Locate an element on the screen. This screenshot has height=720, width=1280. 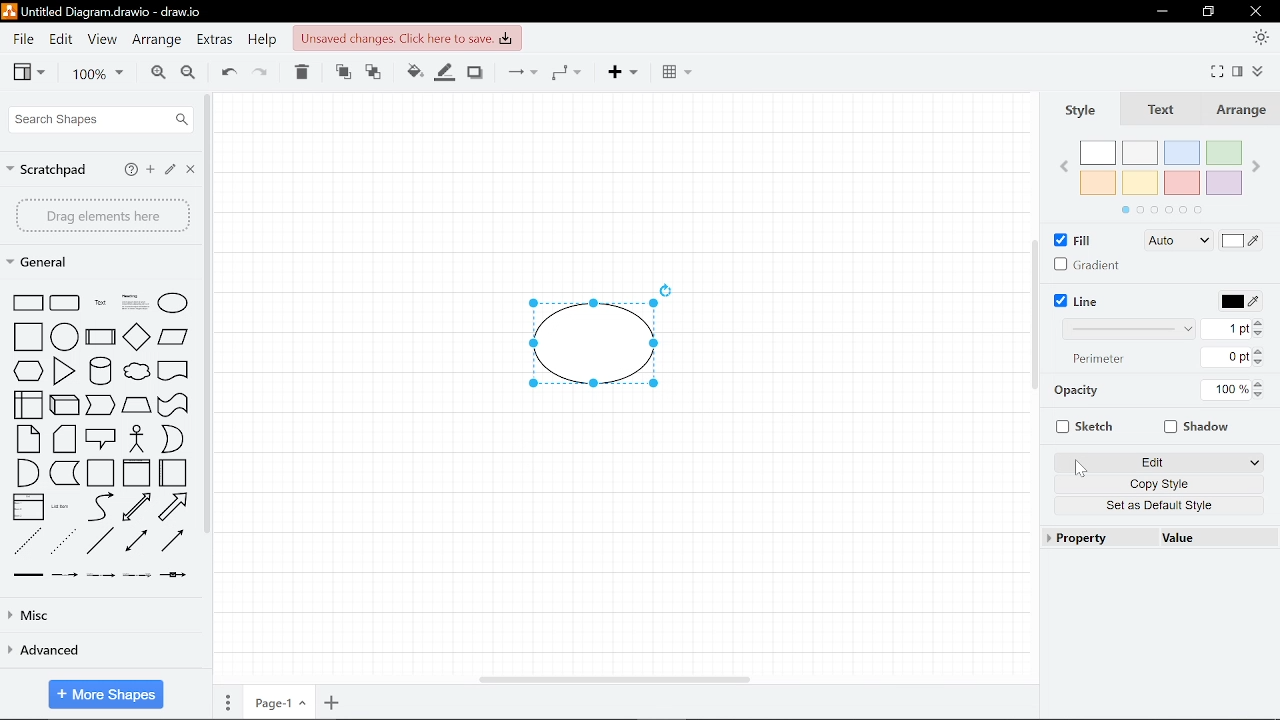
Sketch is located at coordinates (1081, 426).